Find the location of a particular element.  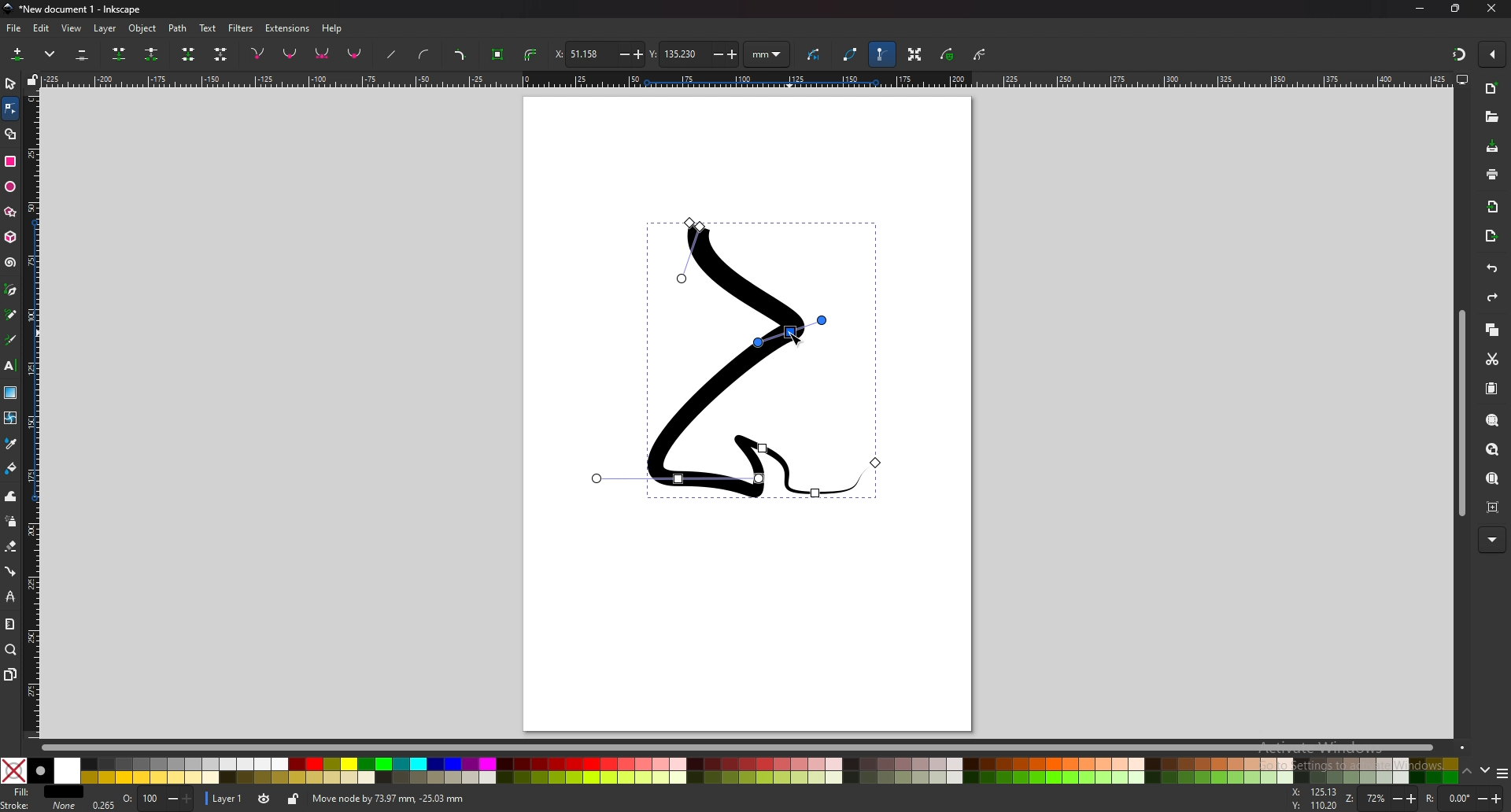

close is located at coordinates (1493, 9).